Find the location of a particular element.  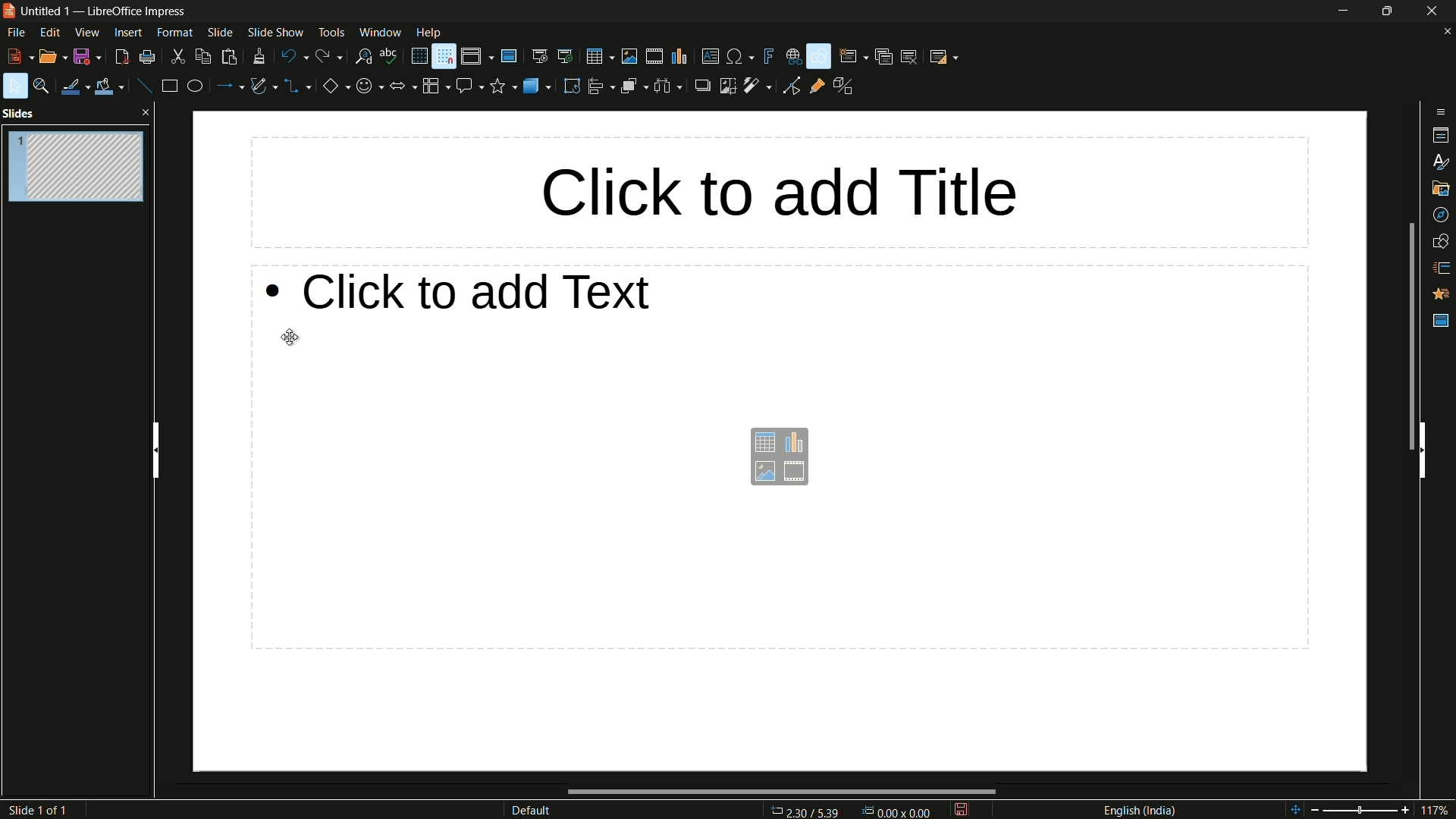

select is located at coordinates (14, 86).